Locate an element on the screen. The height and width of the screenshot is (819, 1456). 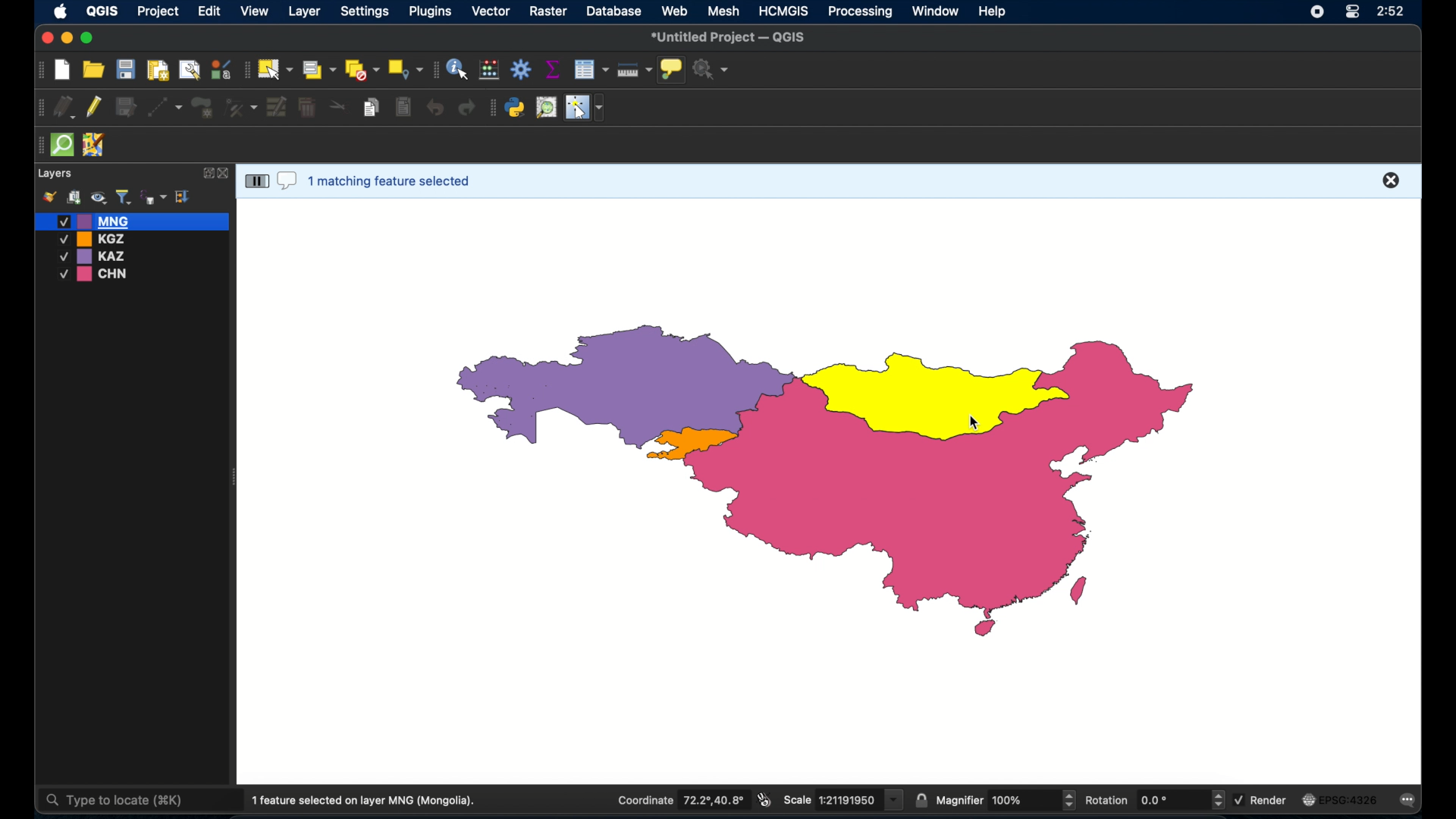
processing is located at coordinates (861, 12).